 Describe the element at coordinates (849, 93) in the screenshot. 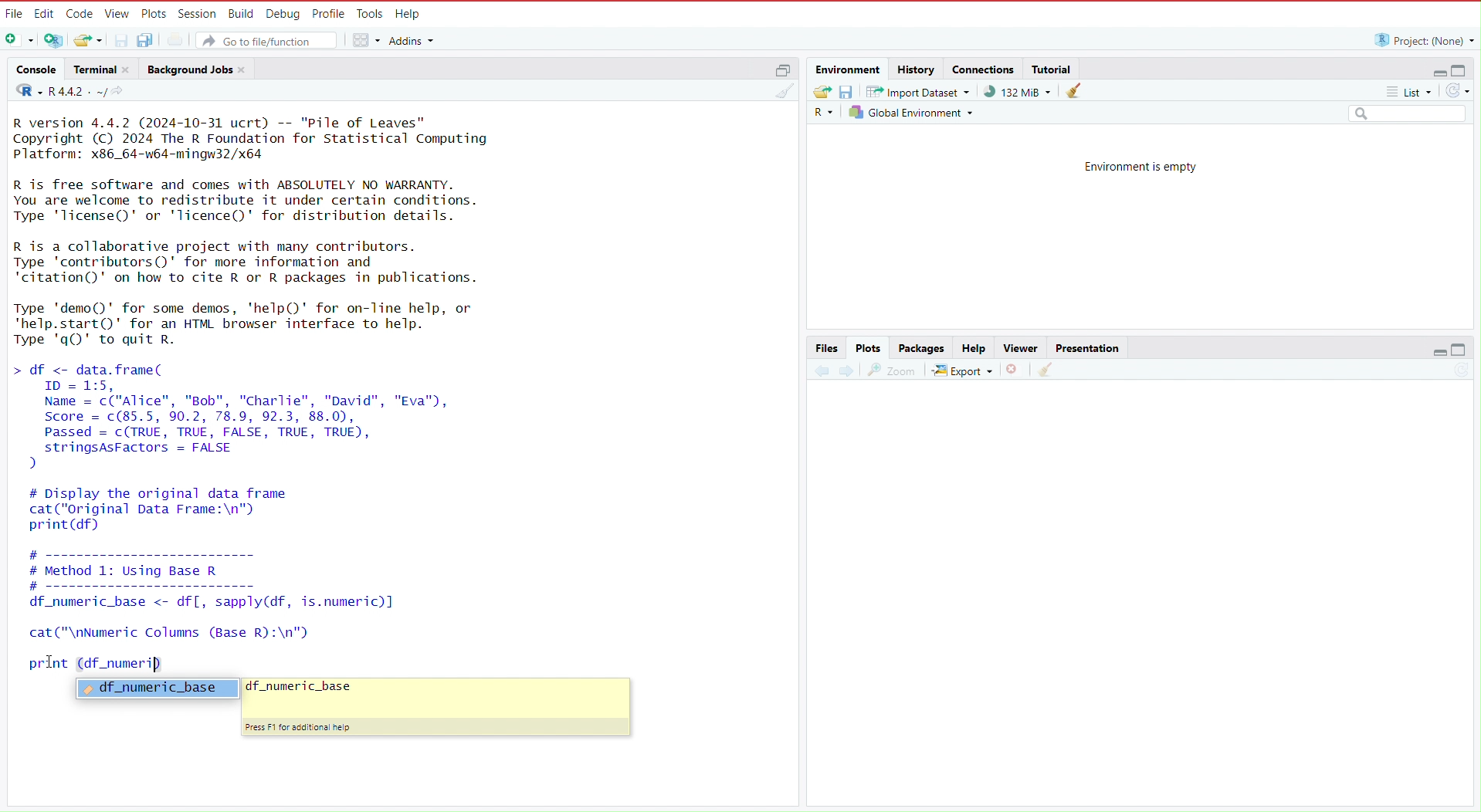

I see `save workspace as` at that location.